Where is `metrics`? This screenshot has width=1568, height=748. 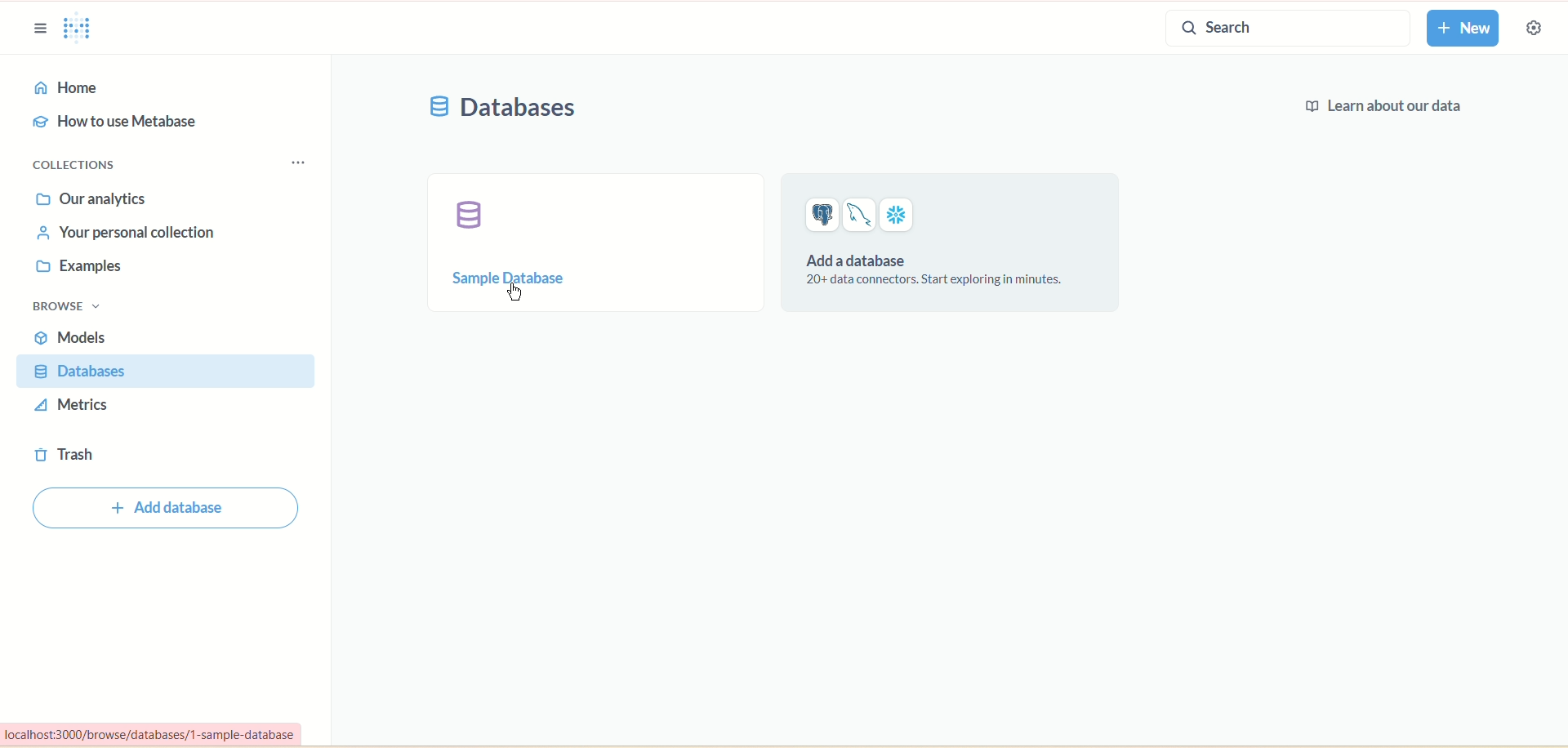 metrics is located at coordinates (74, 404).